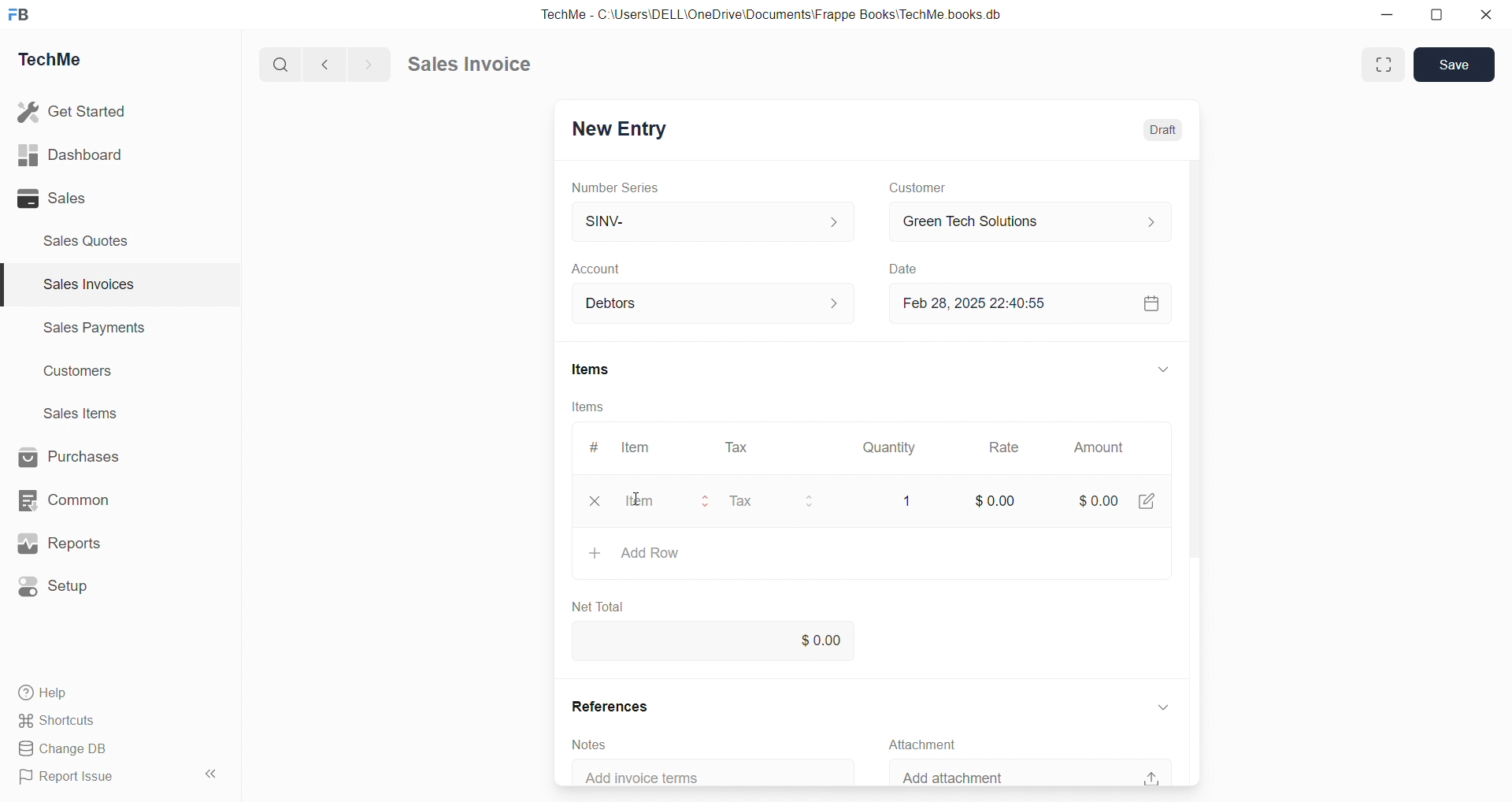 The image size is (1512, 802). I want to click on cursor, so click(633, 499).